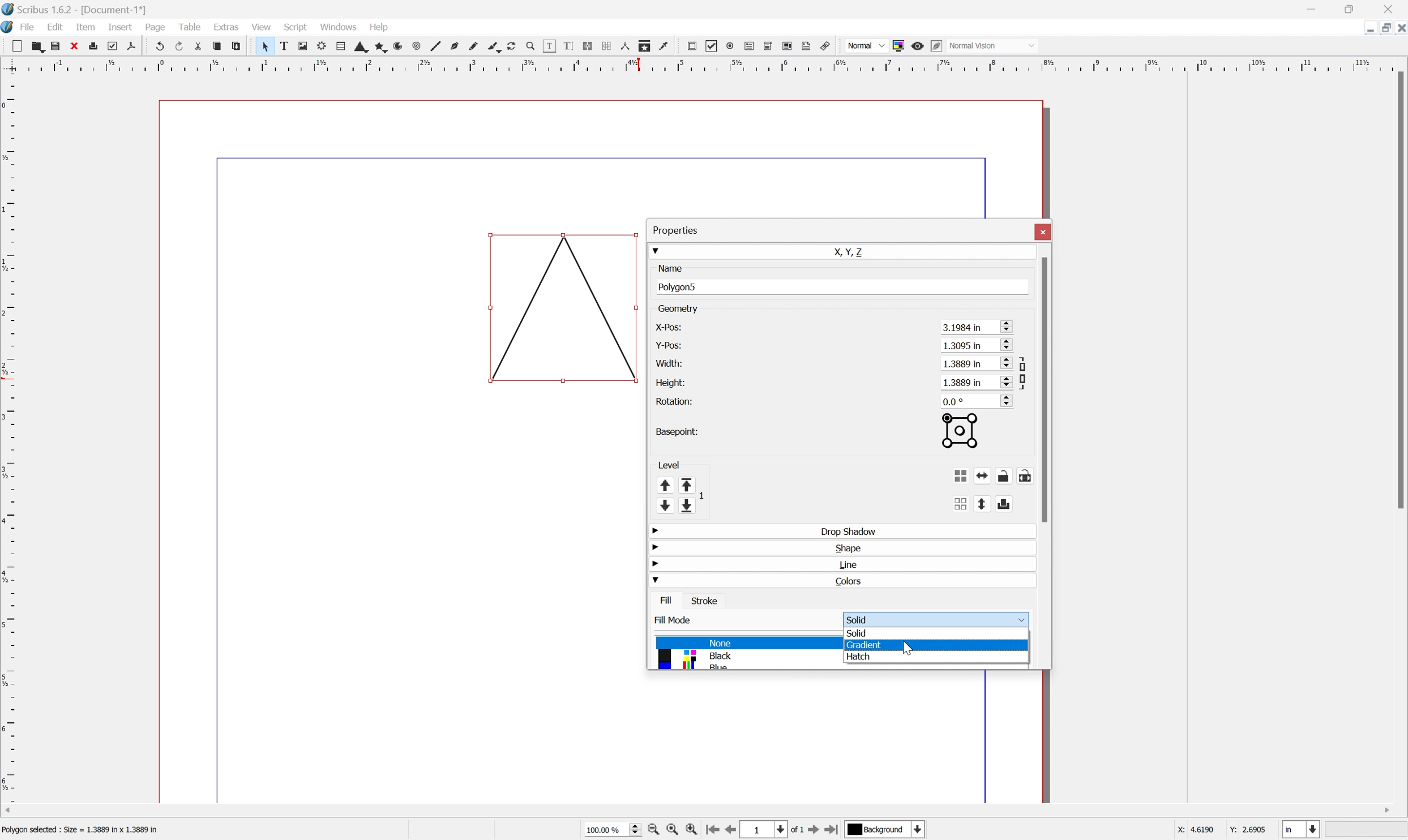 The width and height of the screenshot is (1408, 840). Describe the element at coordinates (654, 564) in the screenshot. I see `Drop Down` at that location.